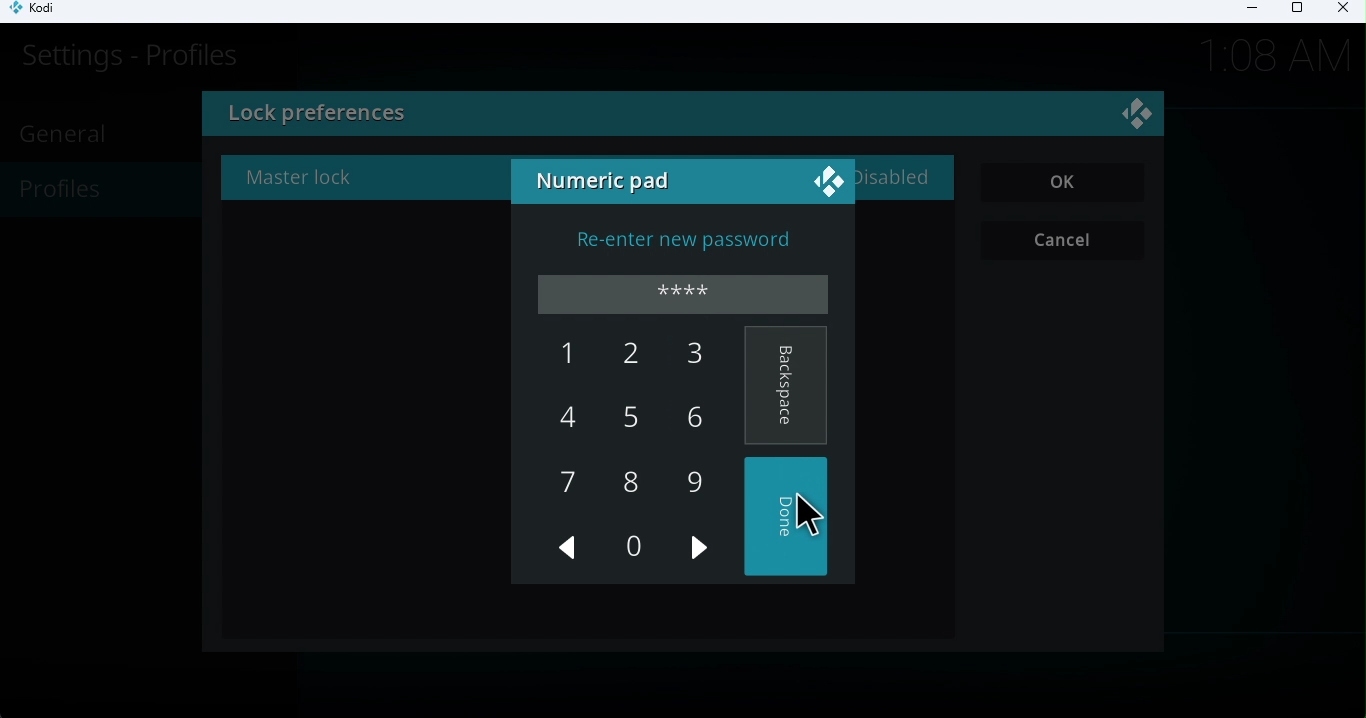 The image size is (1366, 718). What do you see at coordinates (569, 552) in the screenshot?
I see `Previous` at bounding box center [569, 552].